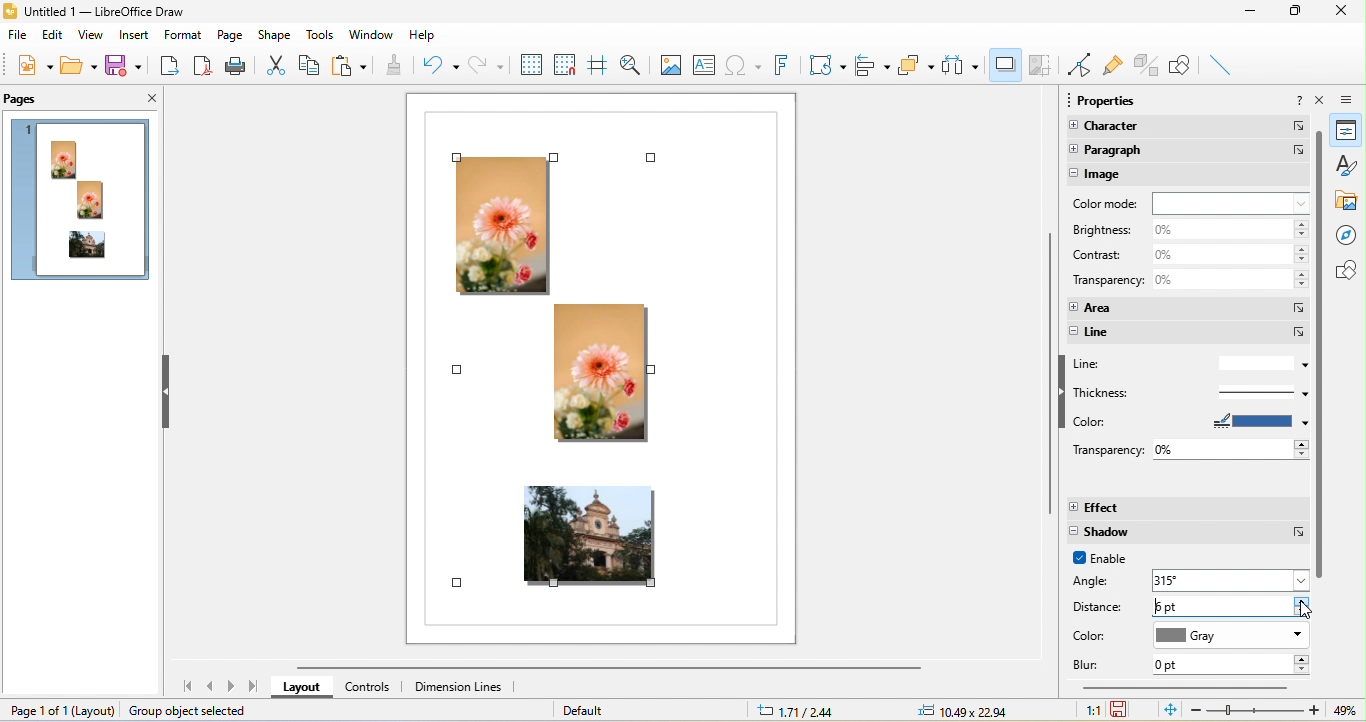 The image size is (1366, 722). I want to click on styles, so click(1347, 168).